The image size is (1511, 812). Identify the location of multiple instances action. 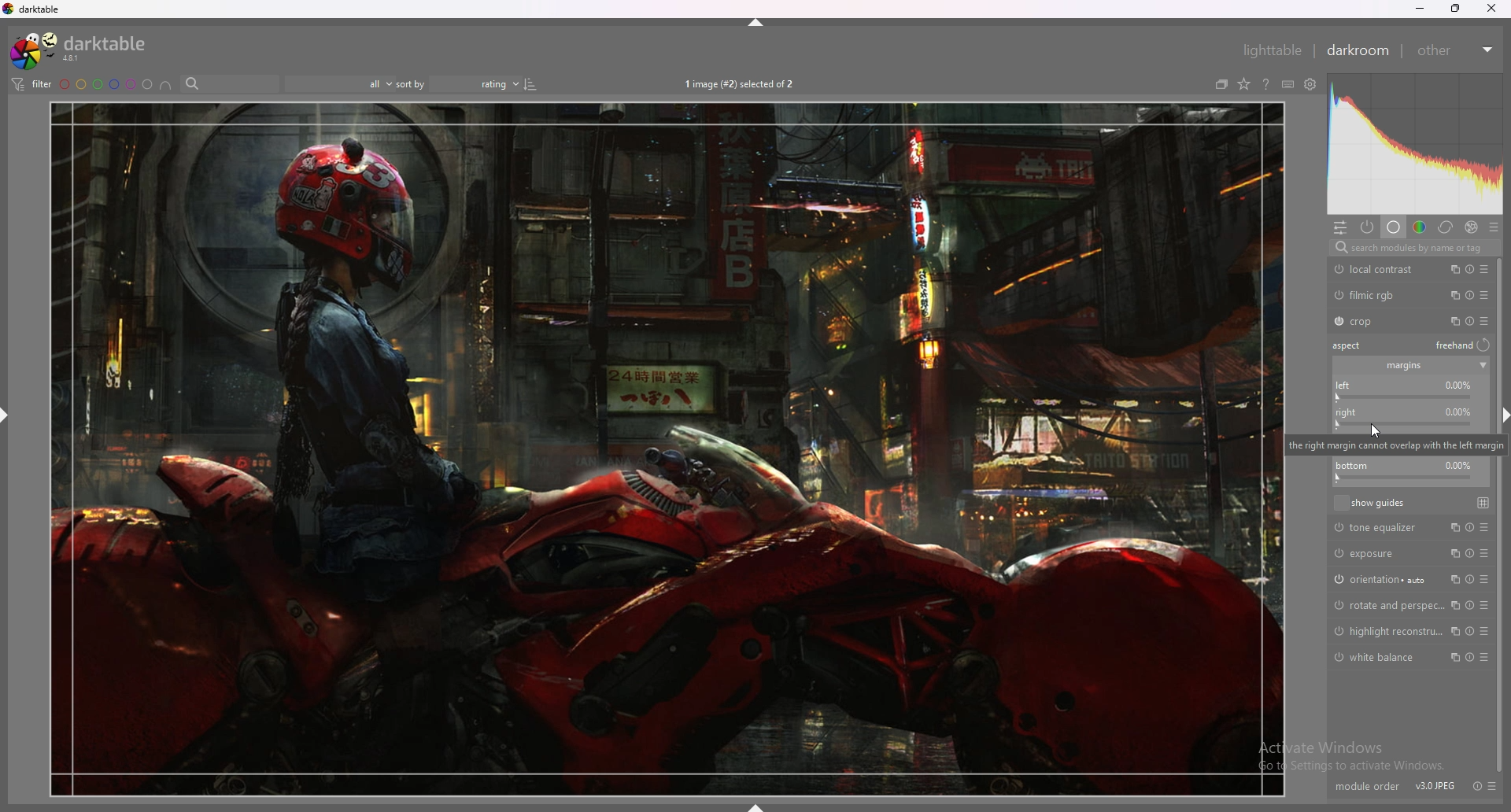
(1450, 320).